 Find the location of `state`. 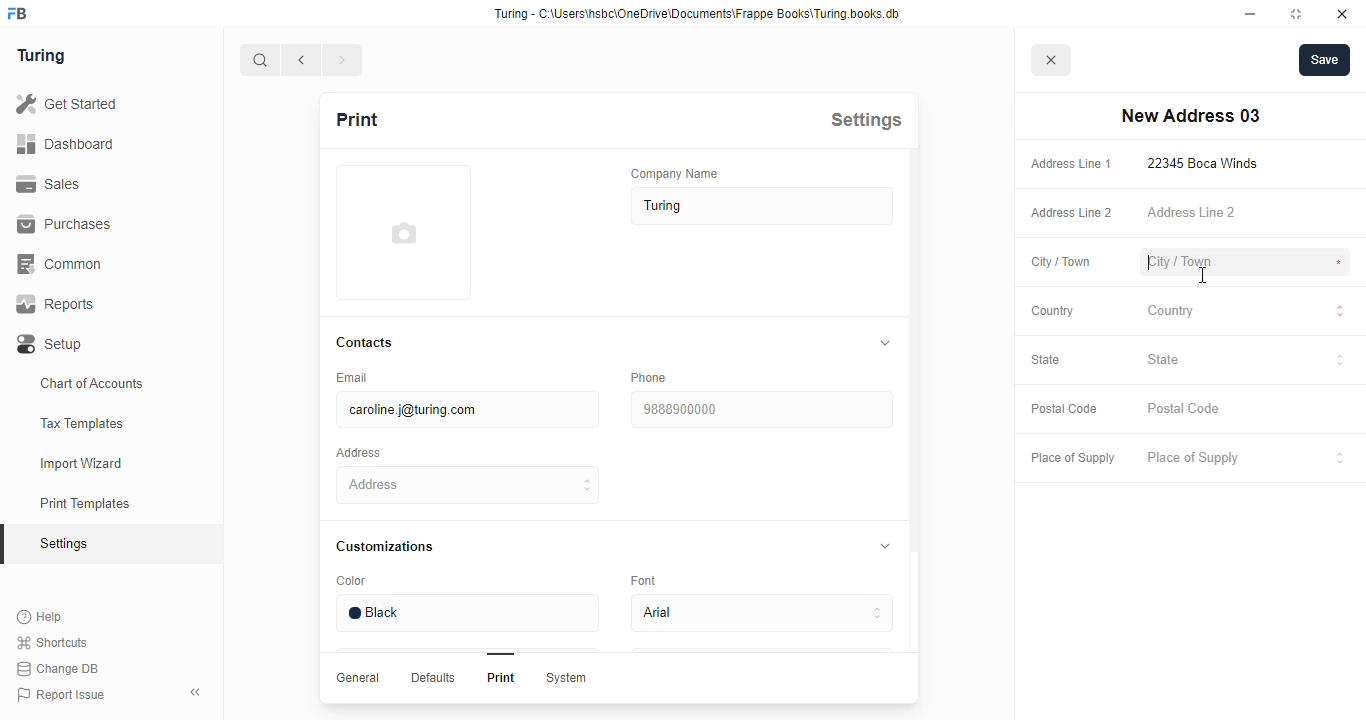

state is located at coordinates (1046, 359).